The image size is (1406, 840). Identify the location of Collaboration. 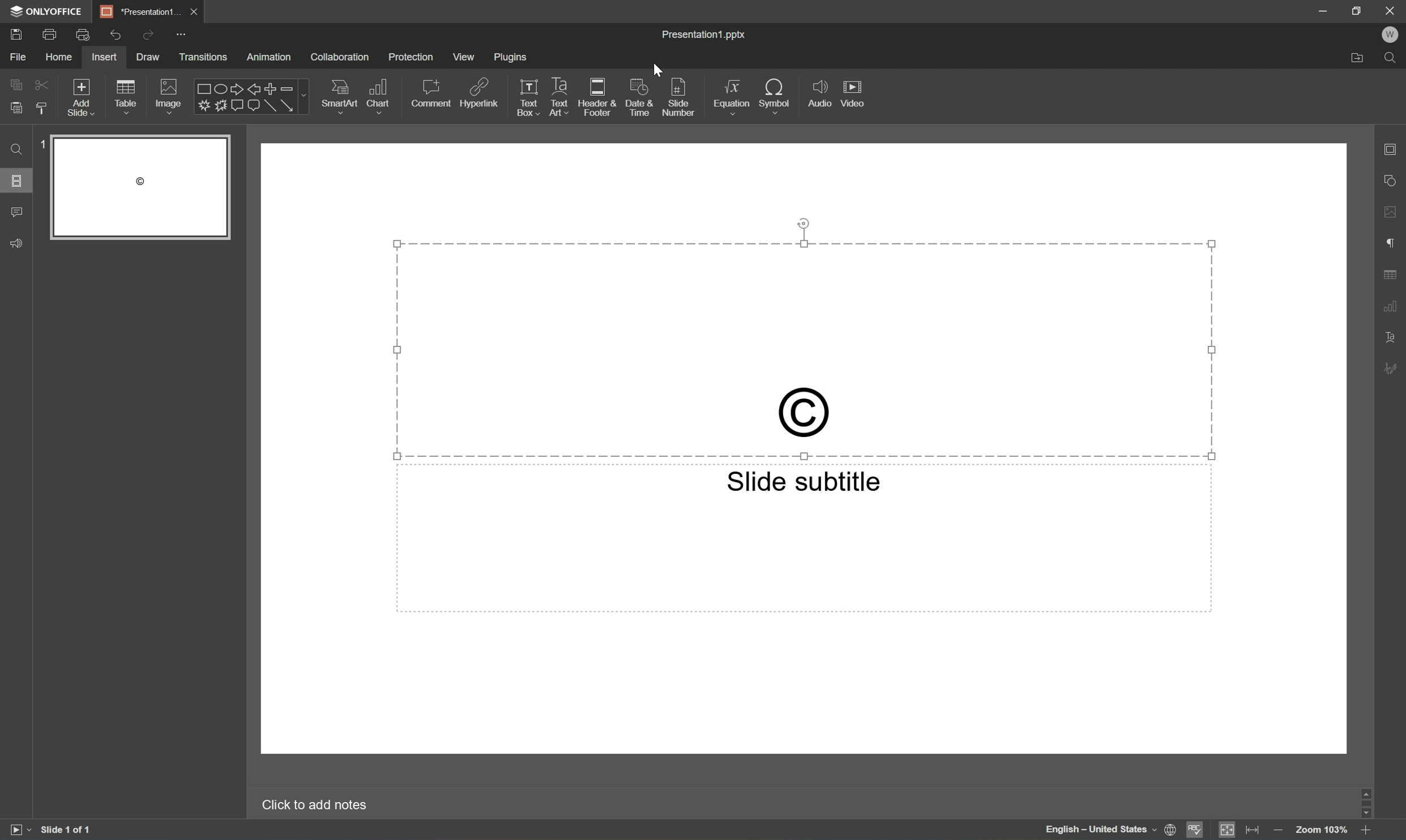
(339, 57).